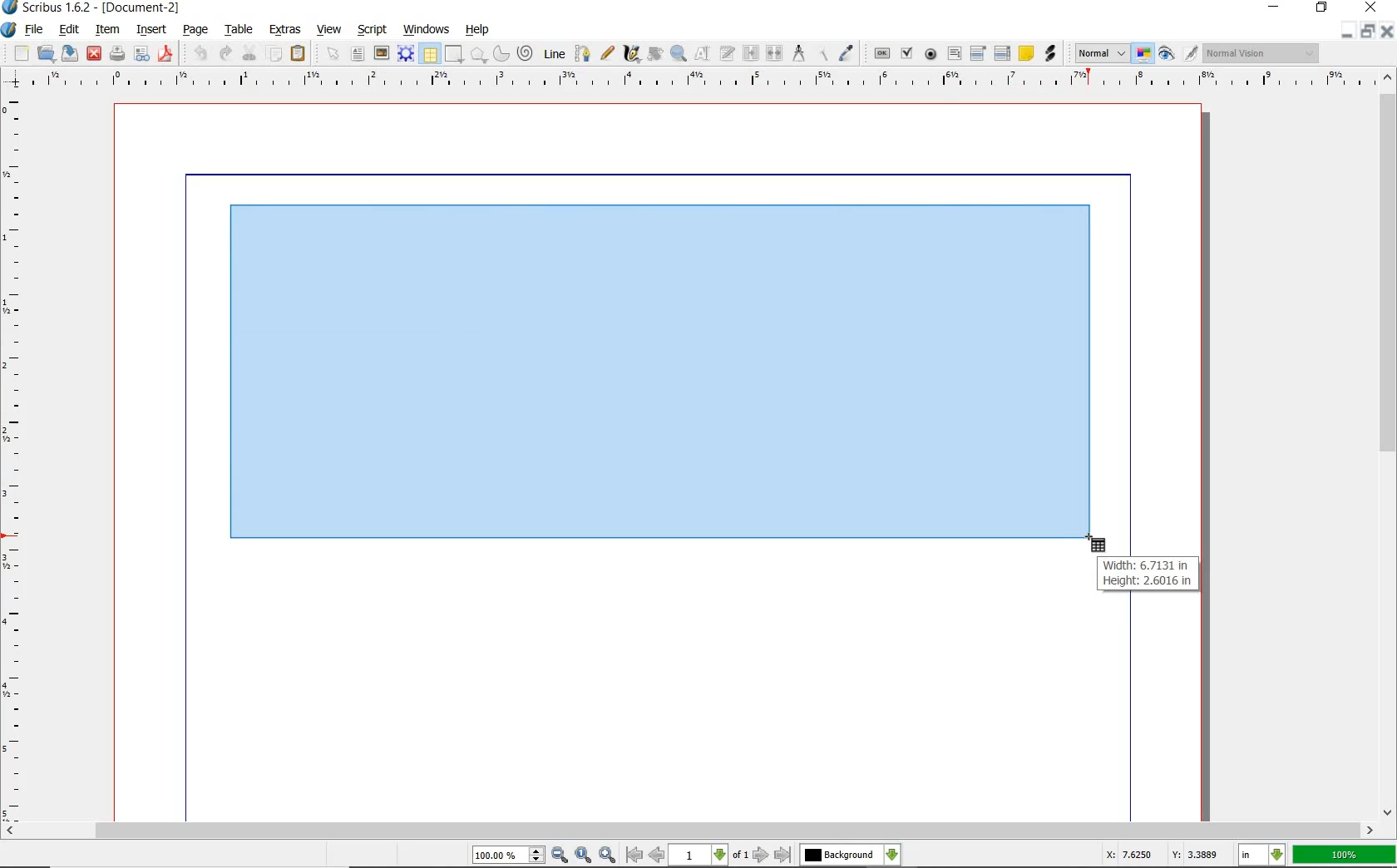  I want to click on system logo, so click(11, 28).